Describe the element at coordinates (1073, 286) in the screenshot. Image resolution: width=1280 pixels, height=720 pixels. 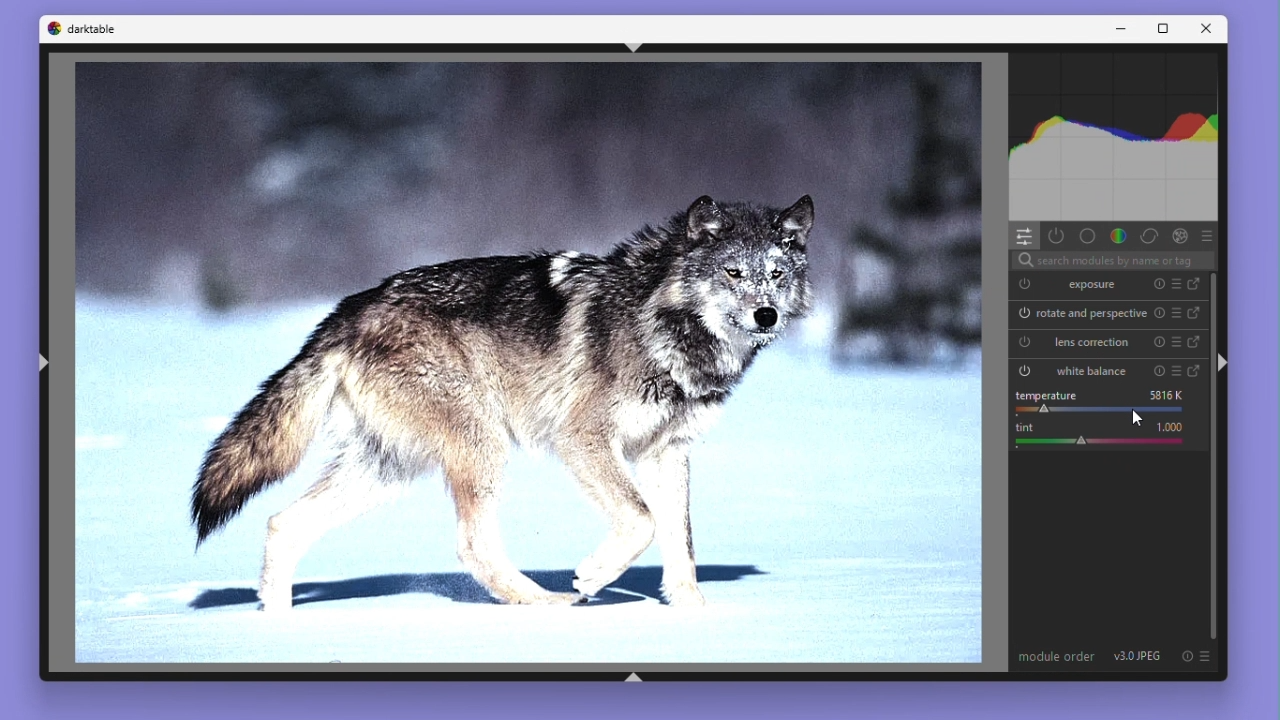
I see `Exposure` at that location.